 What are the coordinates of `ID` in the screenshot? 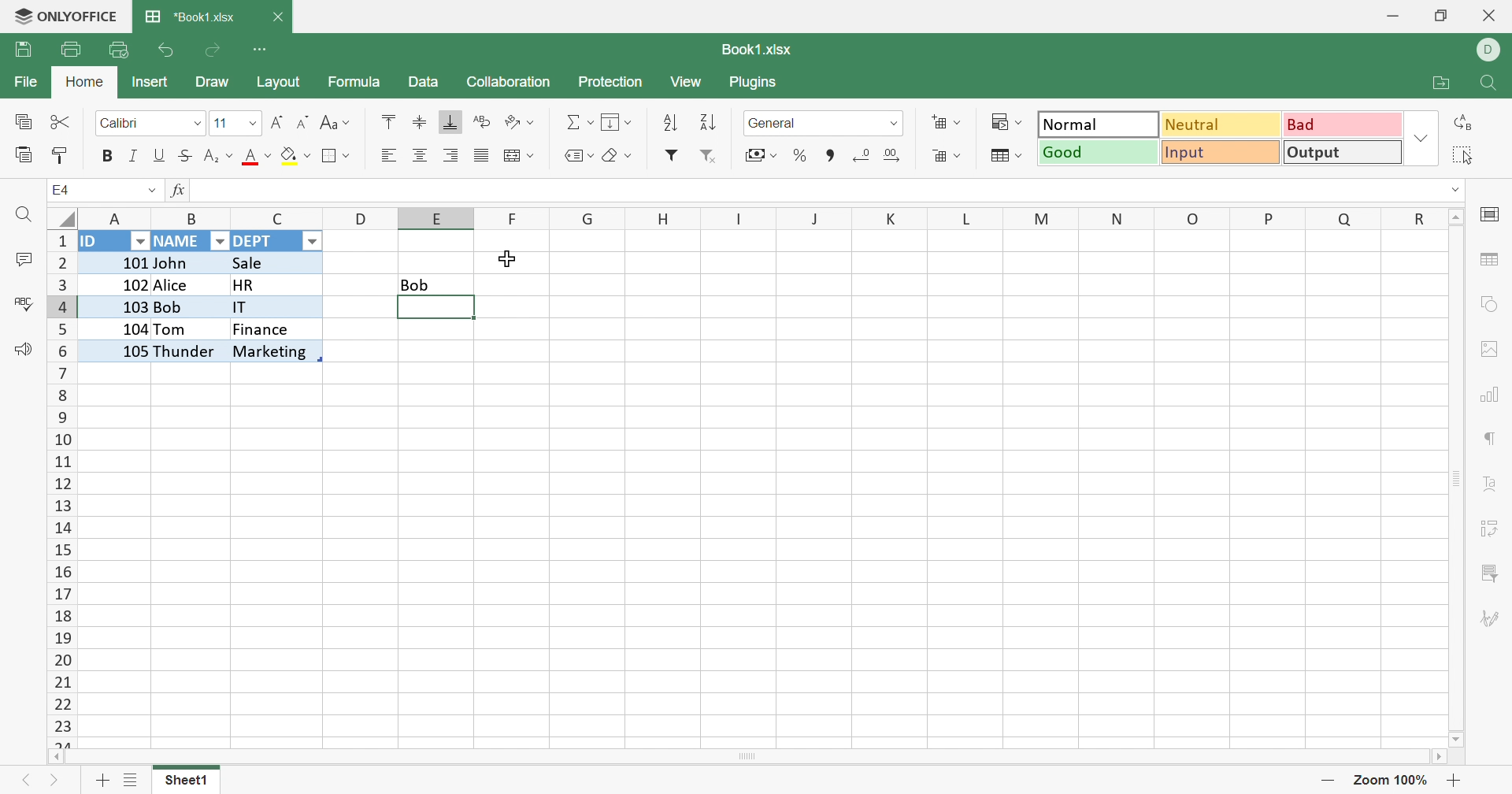 It's located at (206, 190).